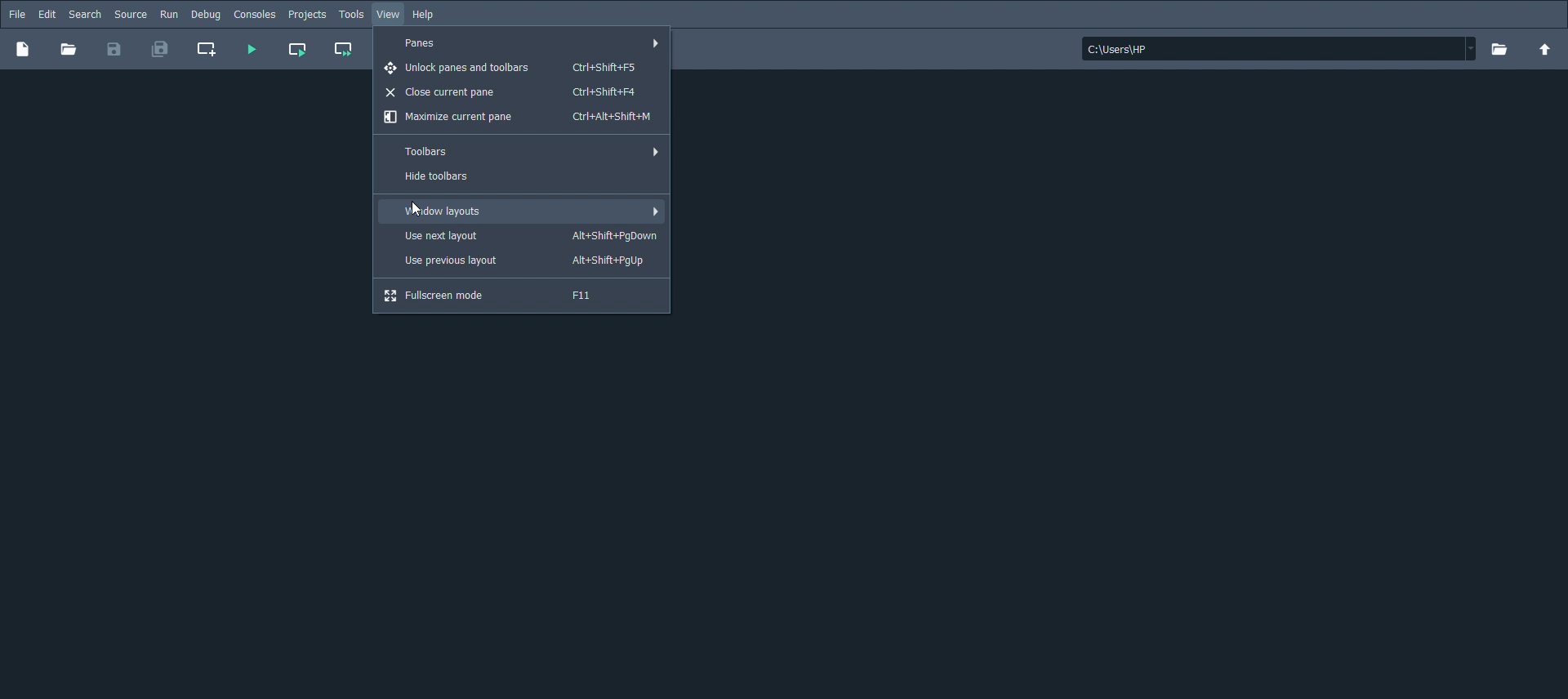  Describe the element at coordinates (16, 13) in the screenshot. I see `File` at that location.